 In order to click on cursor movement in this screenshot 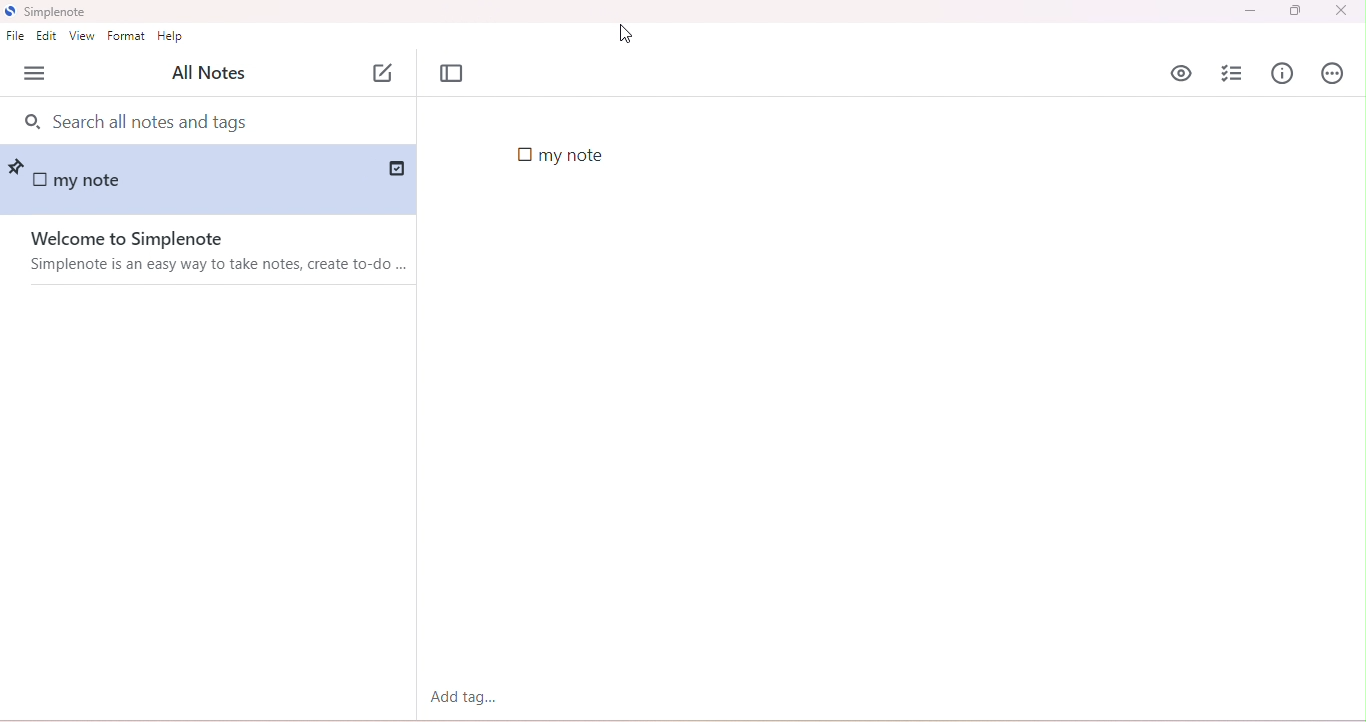, I will do `click(626, 32)`.